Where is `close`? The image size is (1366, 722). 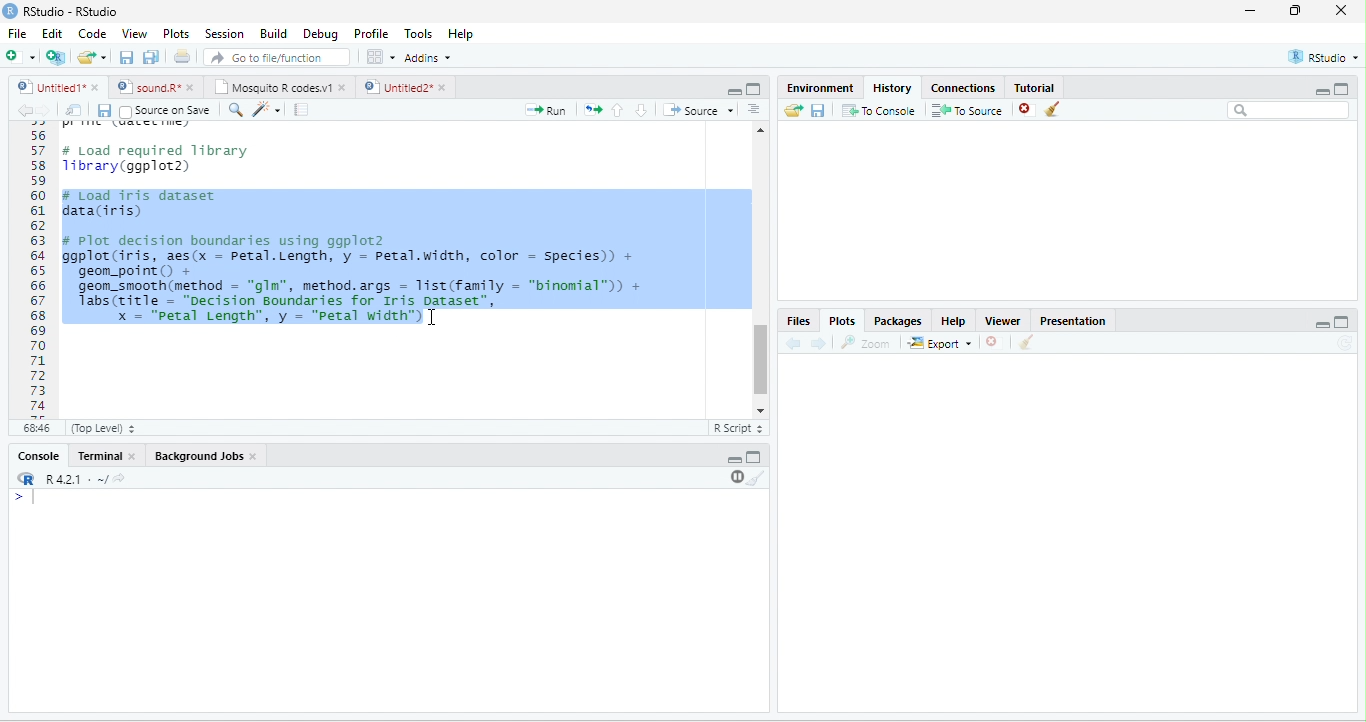
close is located at coordinates (254, 456).